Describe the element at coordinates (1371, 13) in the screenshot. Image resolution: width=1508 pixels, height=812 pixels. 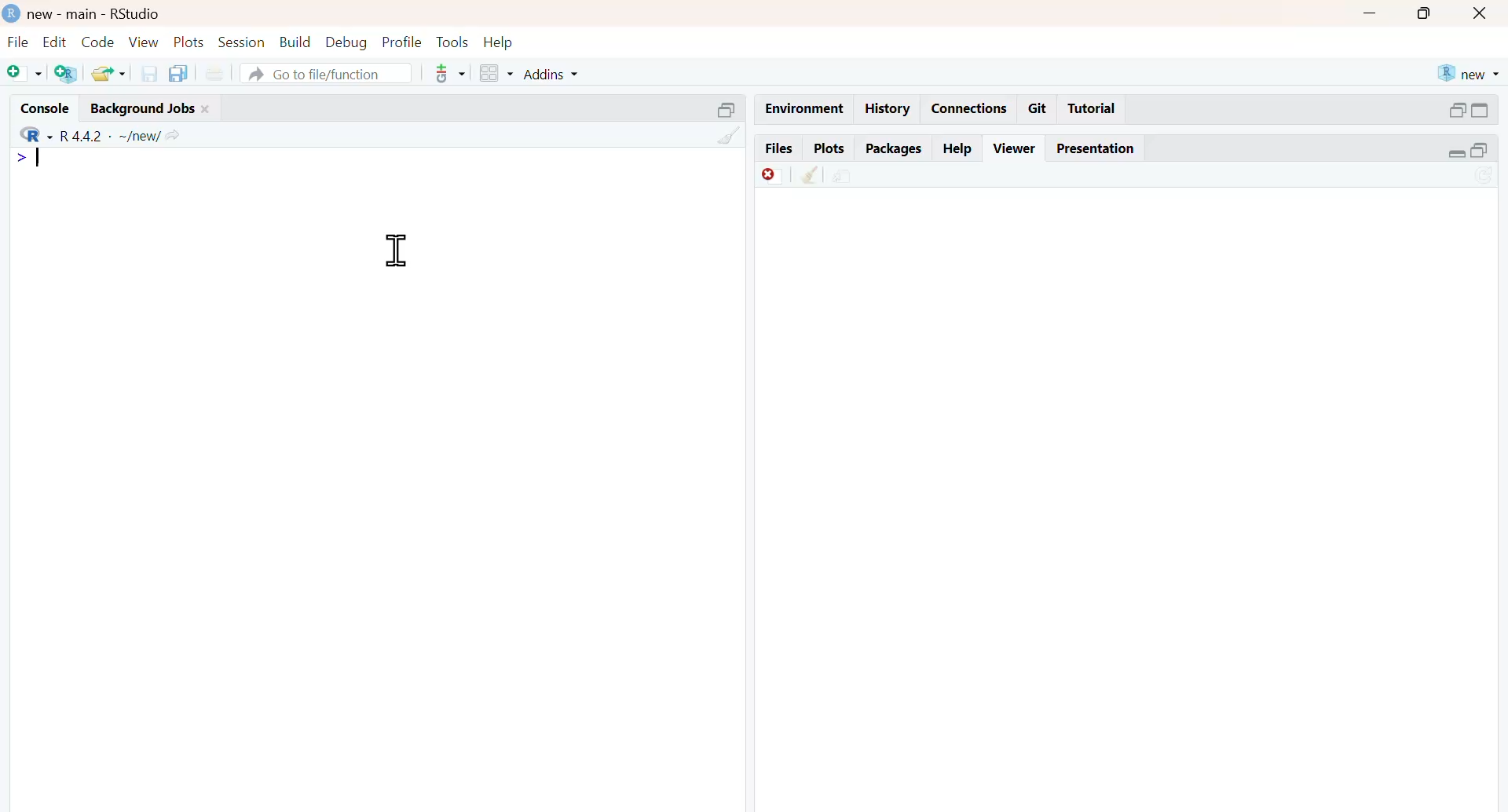
I see `minimise` at that location.